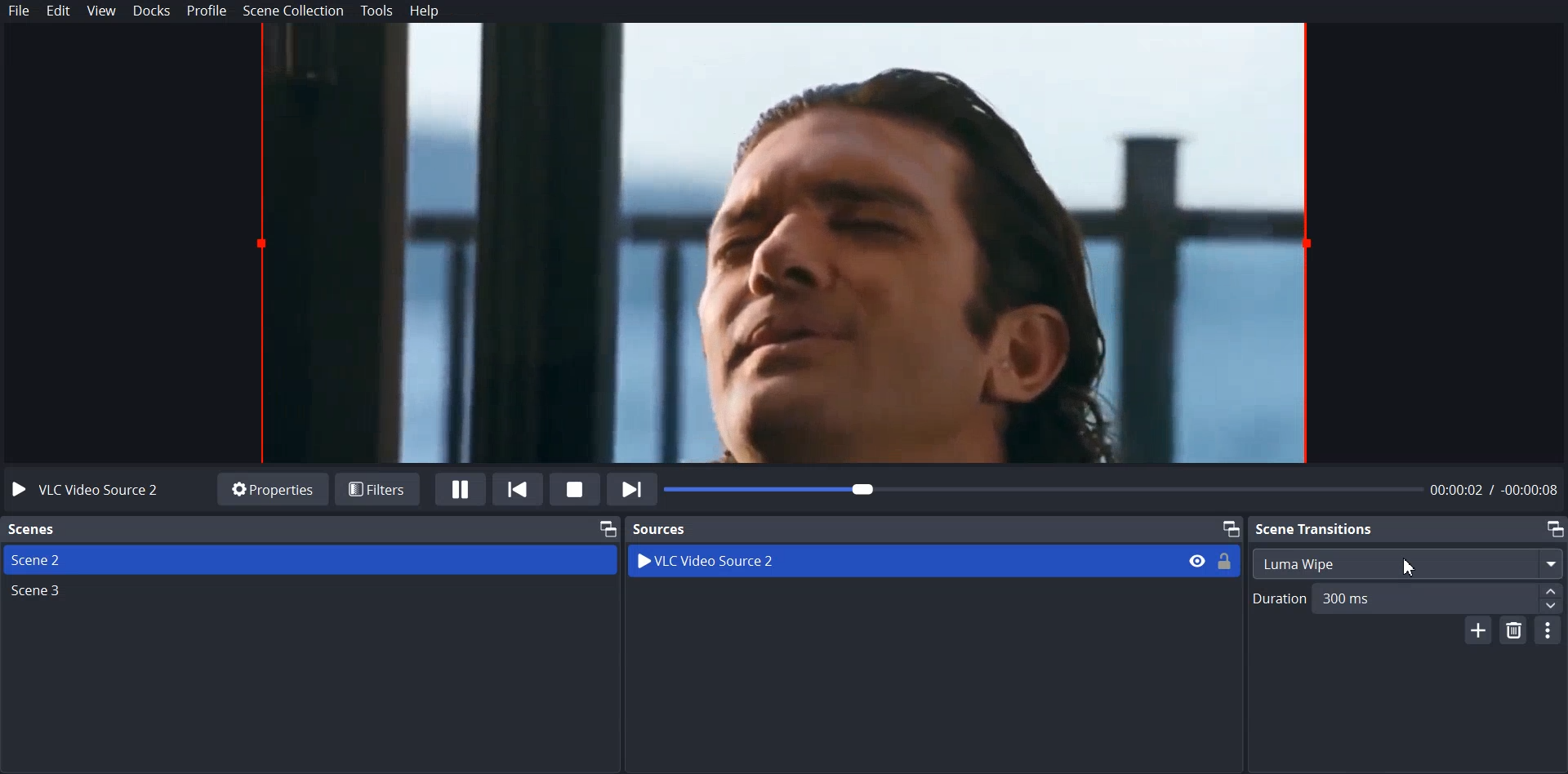 The image size is (1568, 774). Describe the element at coordinates (792, 243) in the screenshot. I see `File Preview window` at that location.